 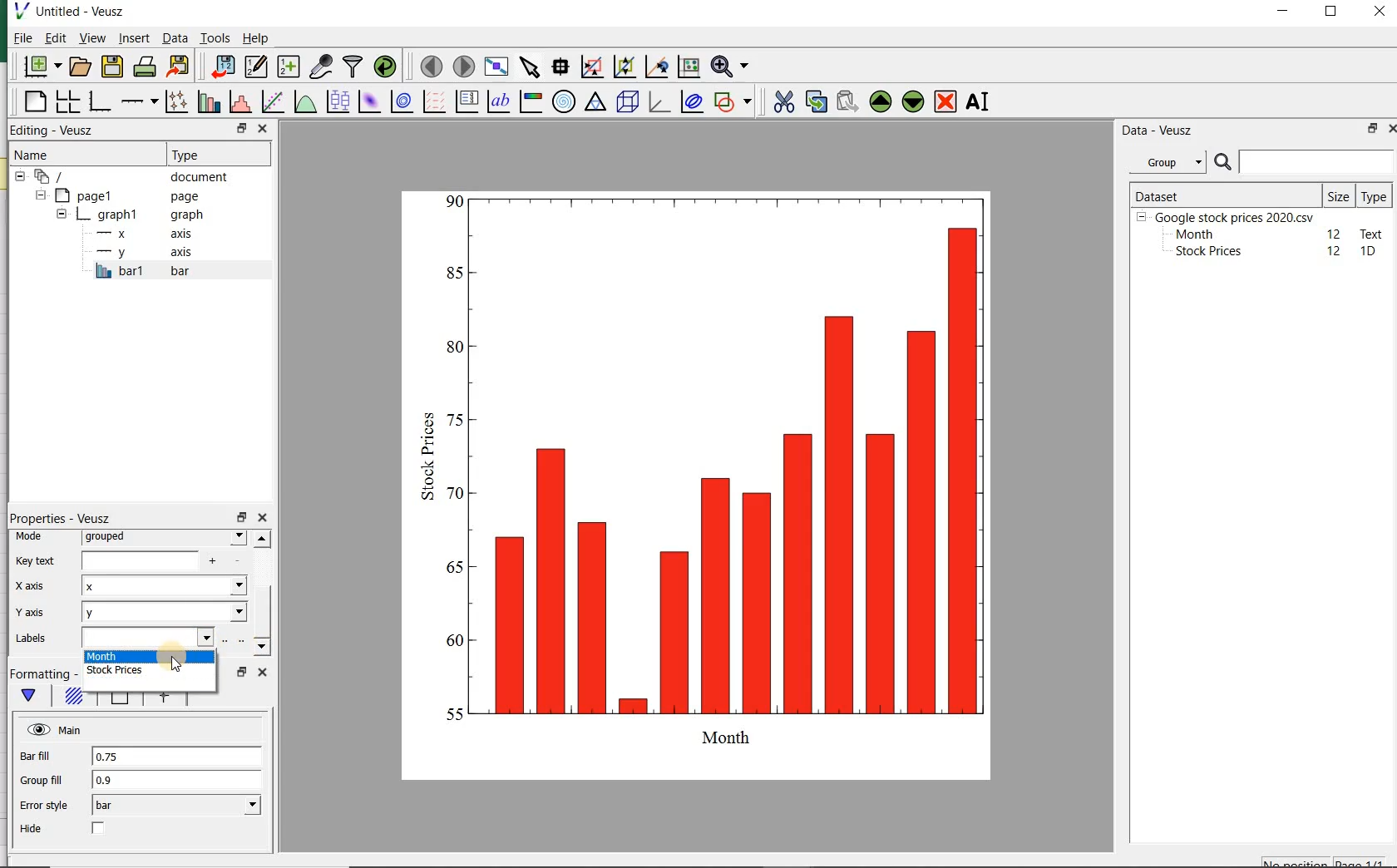 I want to click on close, so click(x=1380, y=12).